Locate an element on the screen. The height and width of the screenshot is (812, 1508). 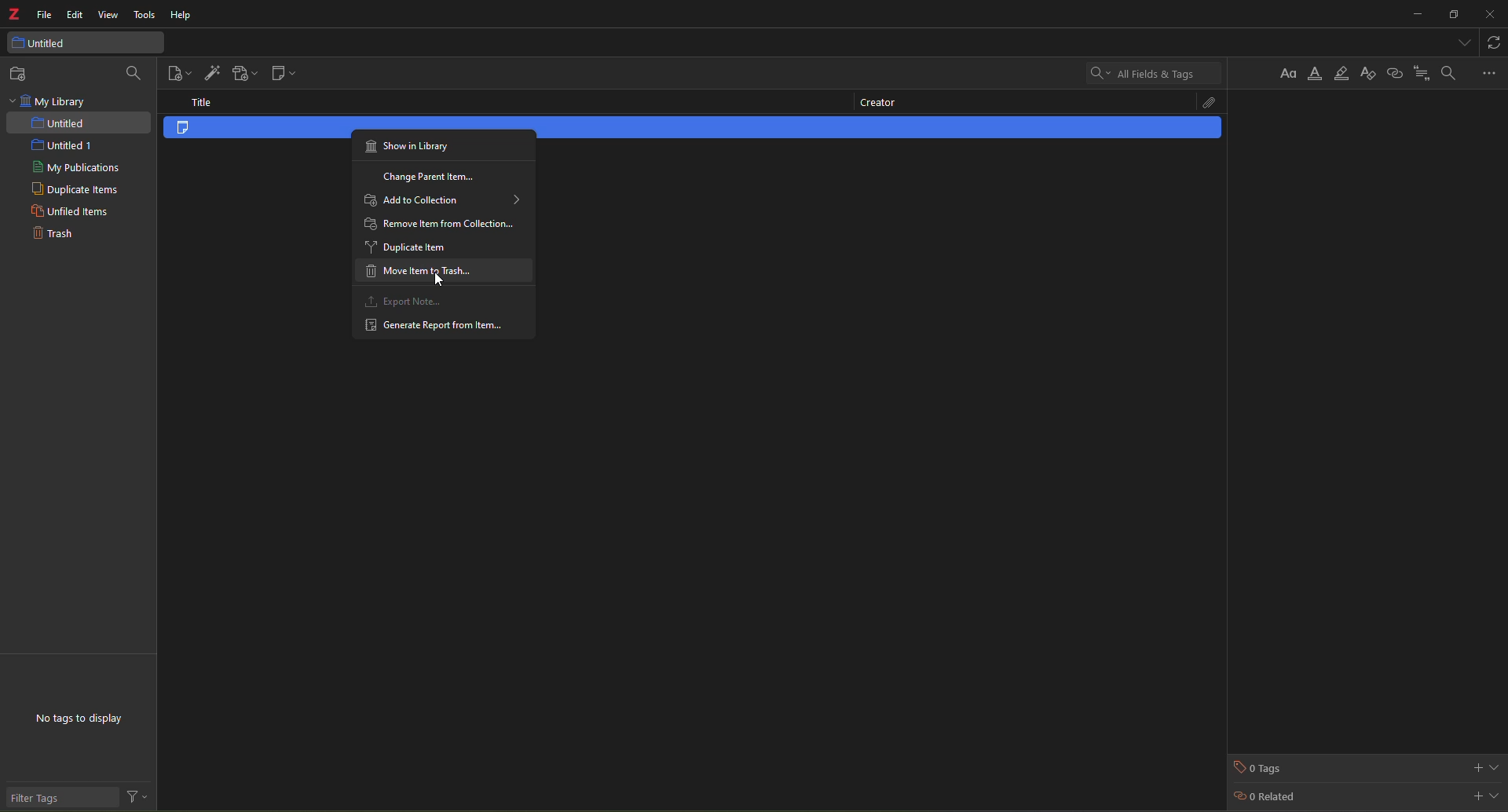
creator is located at coordinates (875, 101).